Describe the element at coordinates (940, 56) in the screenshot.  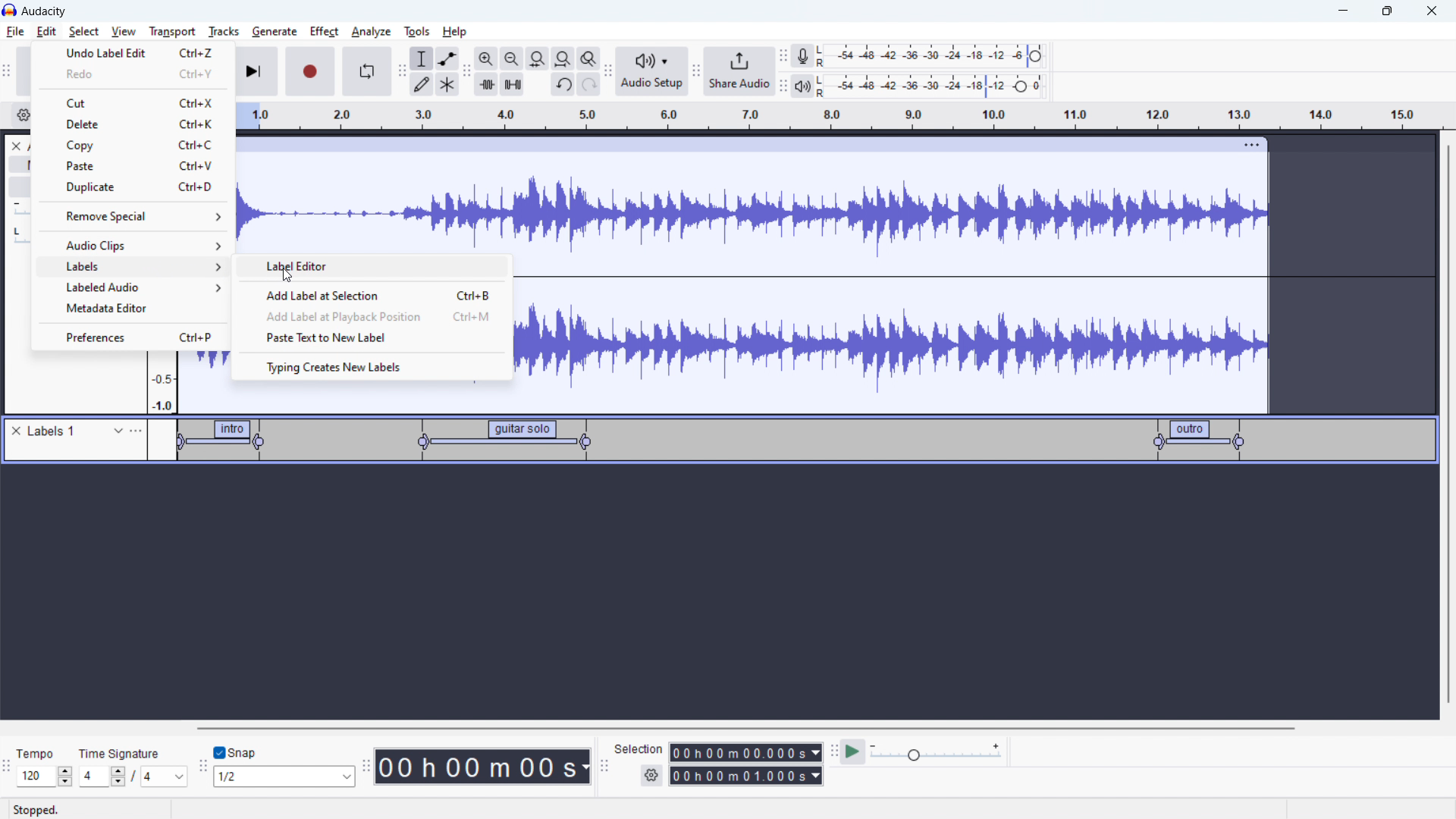
I see `recording level` at that location.